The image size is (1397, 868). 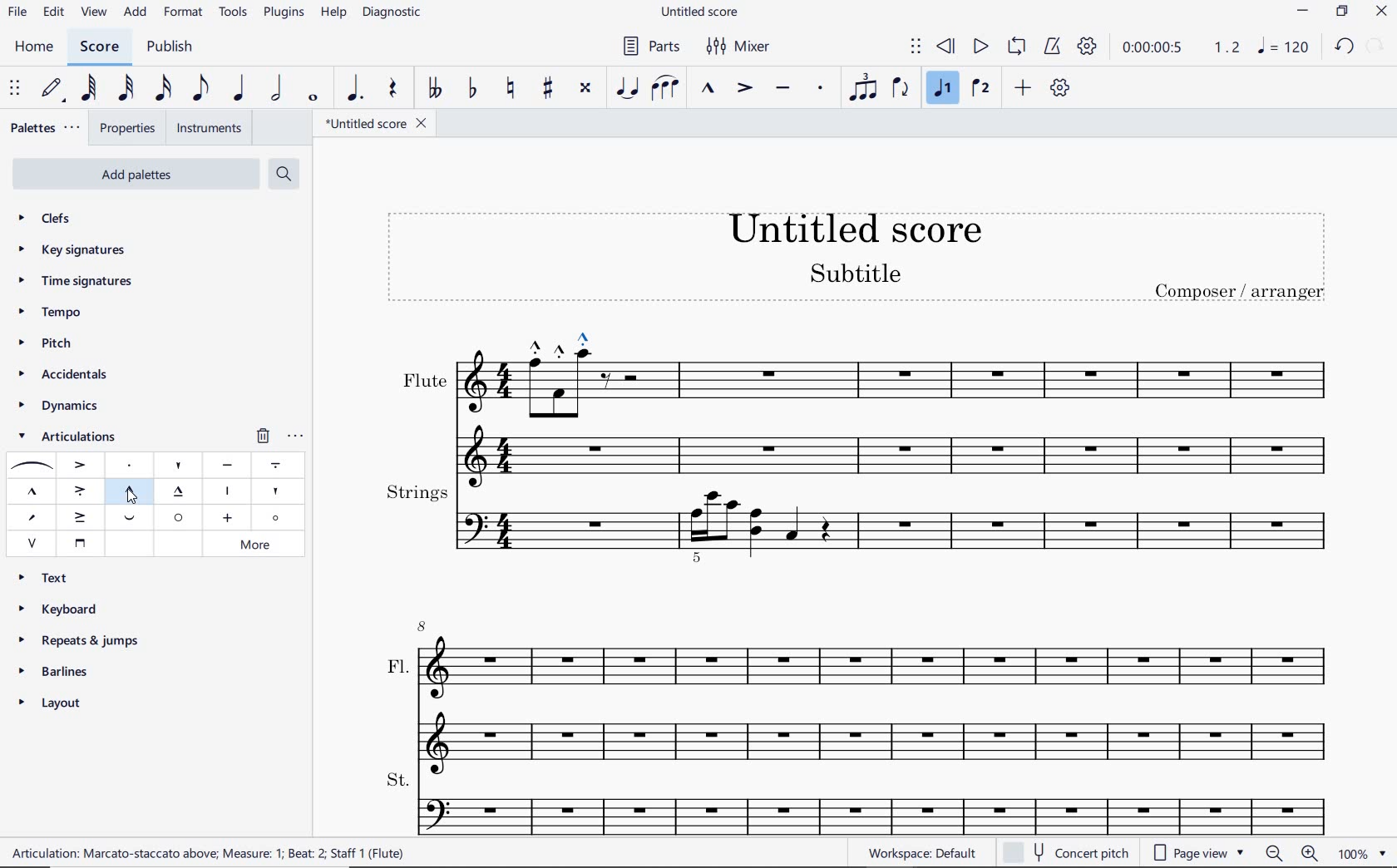 What do you see at coordinates (53, 12) in the screenshot?
I see `edit` at bounding box center [53, 12].